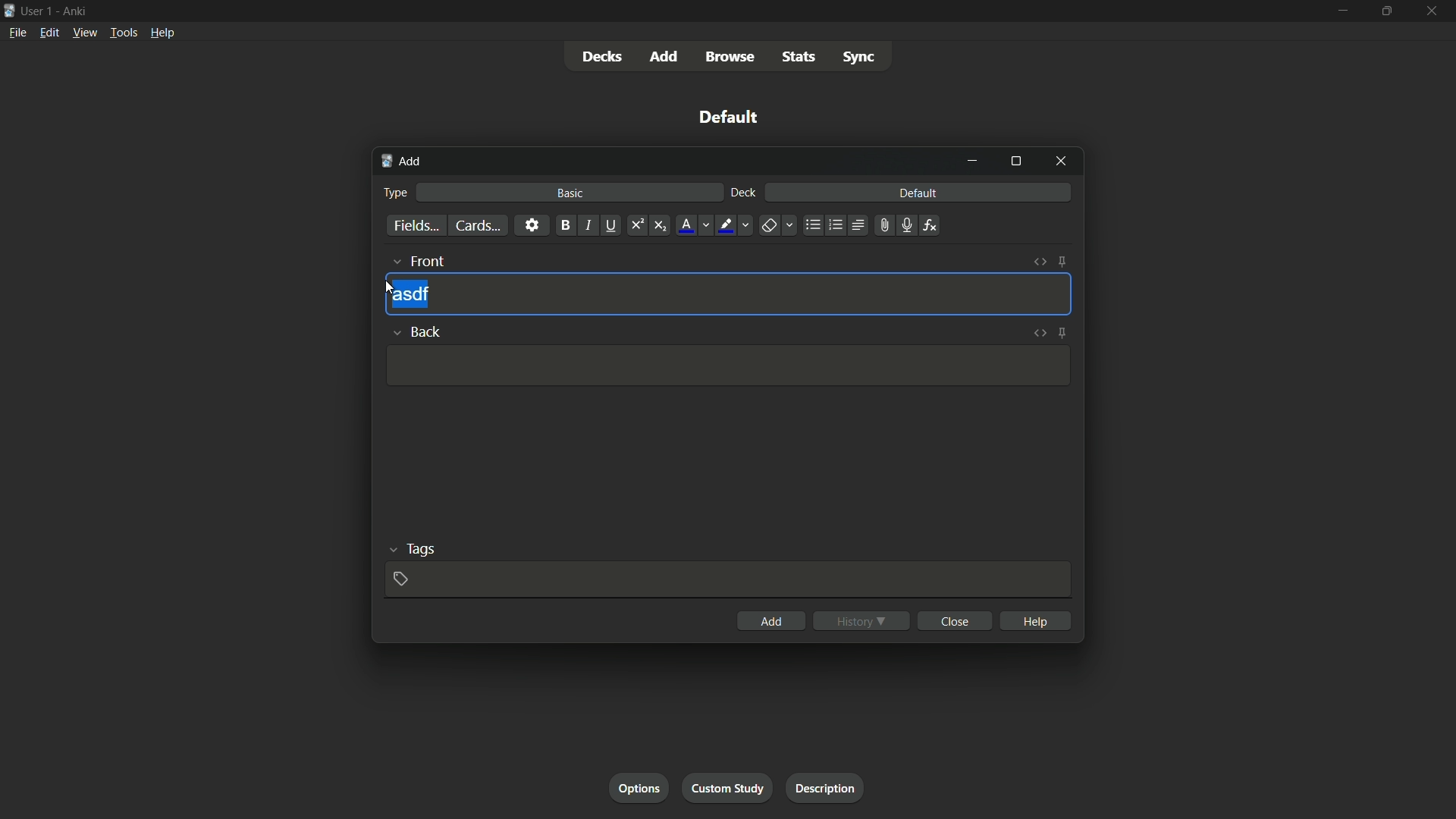 Image resolution: width=1456 pixels, height=819 pixels. I want to click on browse, so click(730, 57).